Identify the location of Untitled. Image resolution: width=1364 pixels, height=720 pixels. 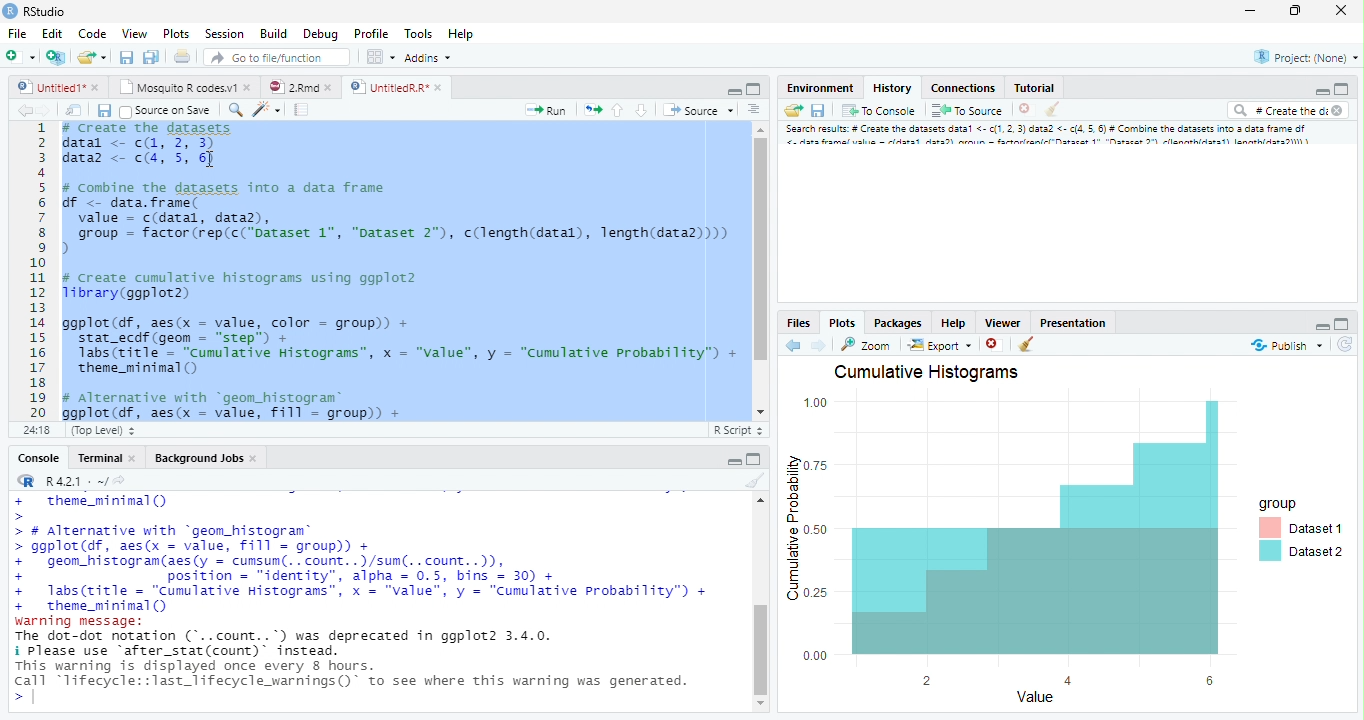
(61, 85).